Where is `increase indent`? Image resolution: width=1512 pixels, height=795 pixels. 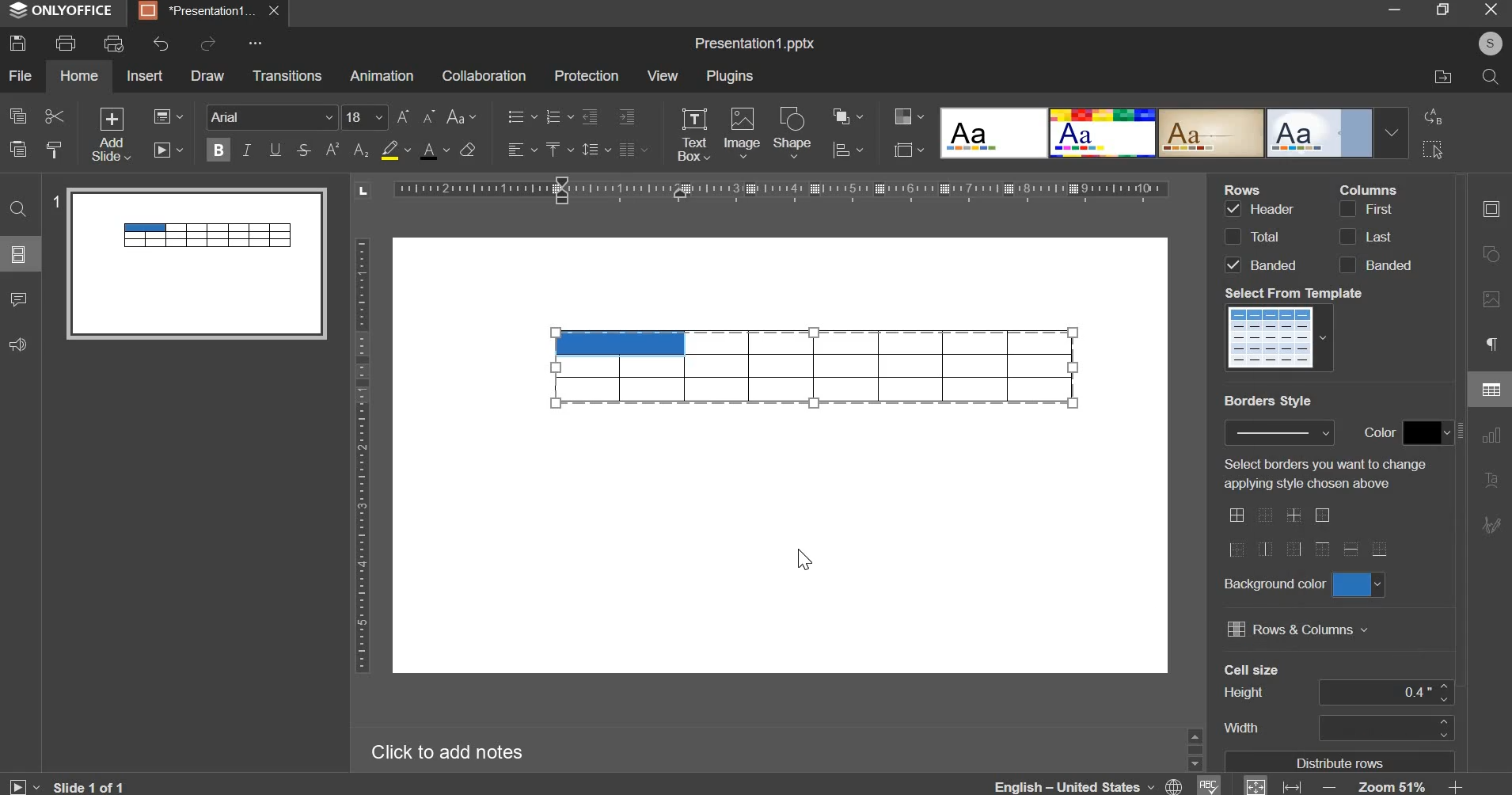 increase indent is located at coordinates (628, 116).